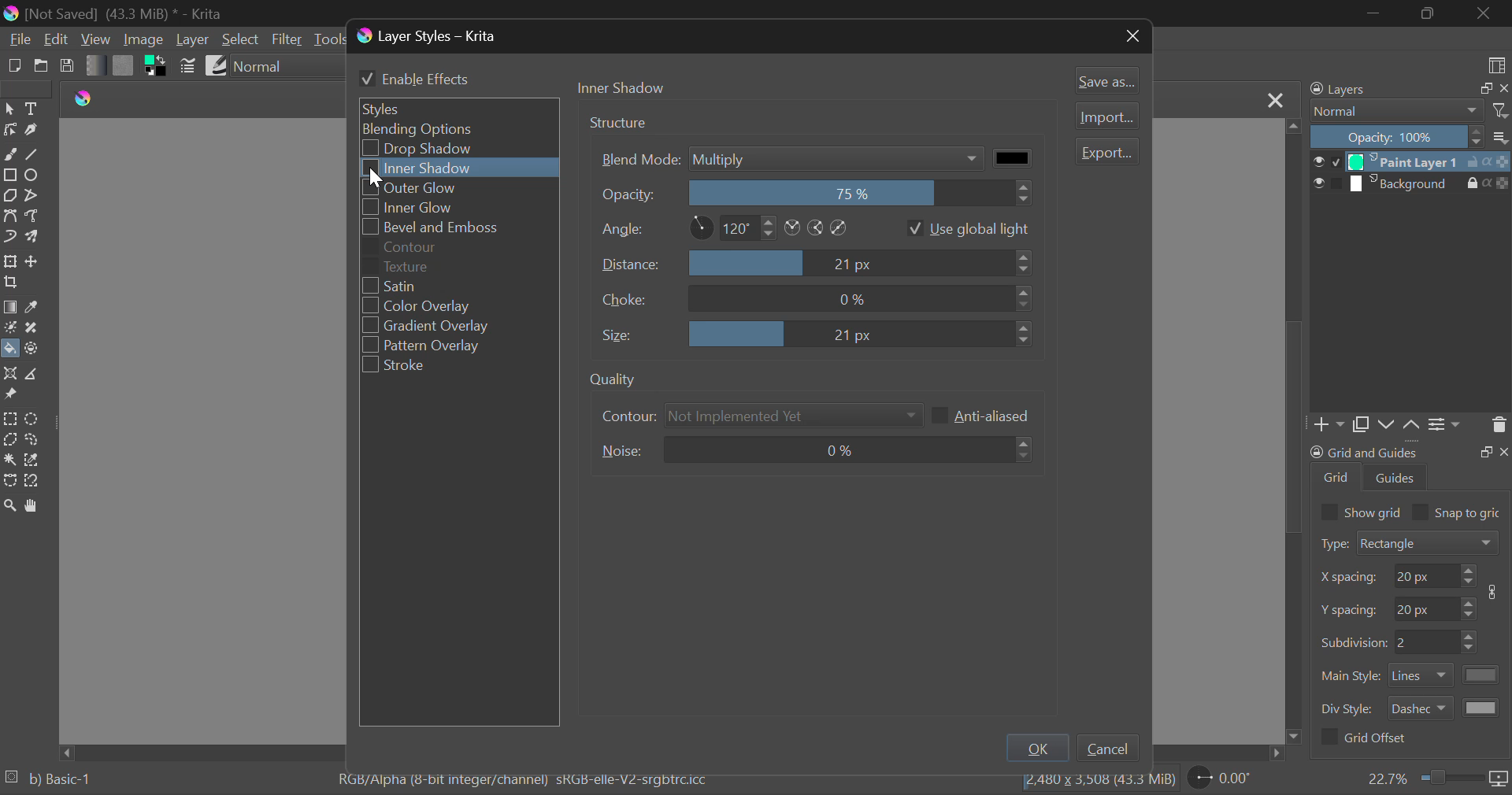 This screenshot has width=1512, height=795. Describe the element at coordinates (10, 215) in the screenshot. I see `Bezier Curve` at that location.